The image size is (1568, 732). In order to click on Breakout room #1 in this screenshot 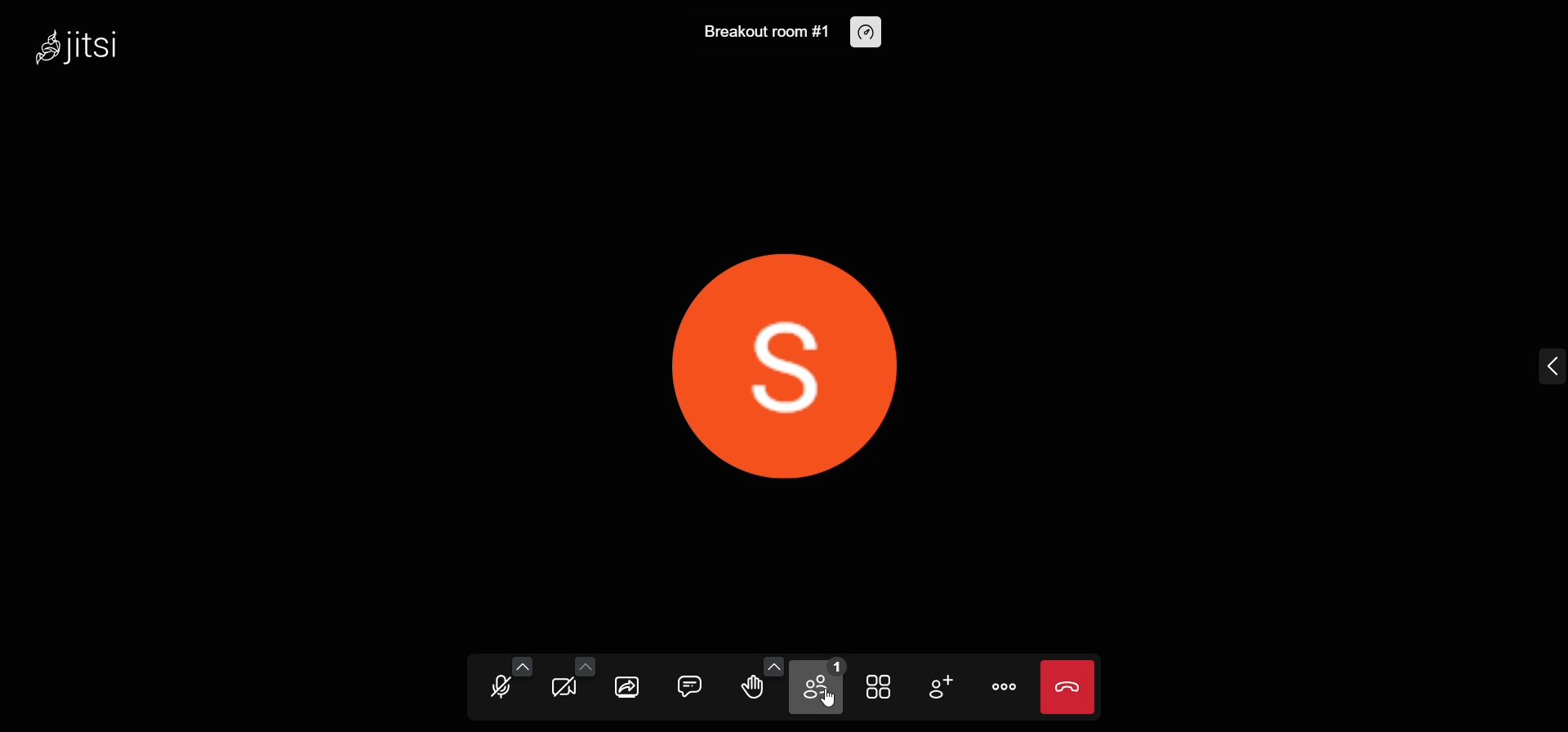, I will do `click(763, 33)`.